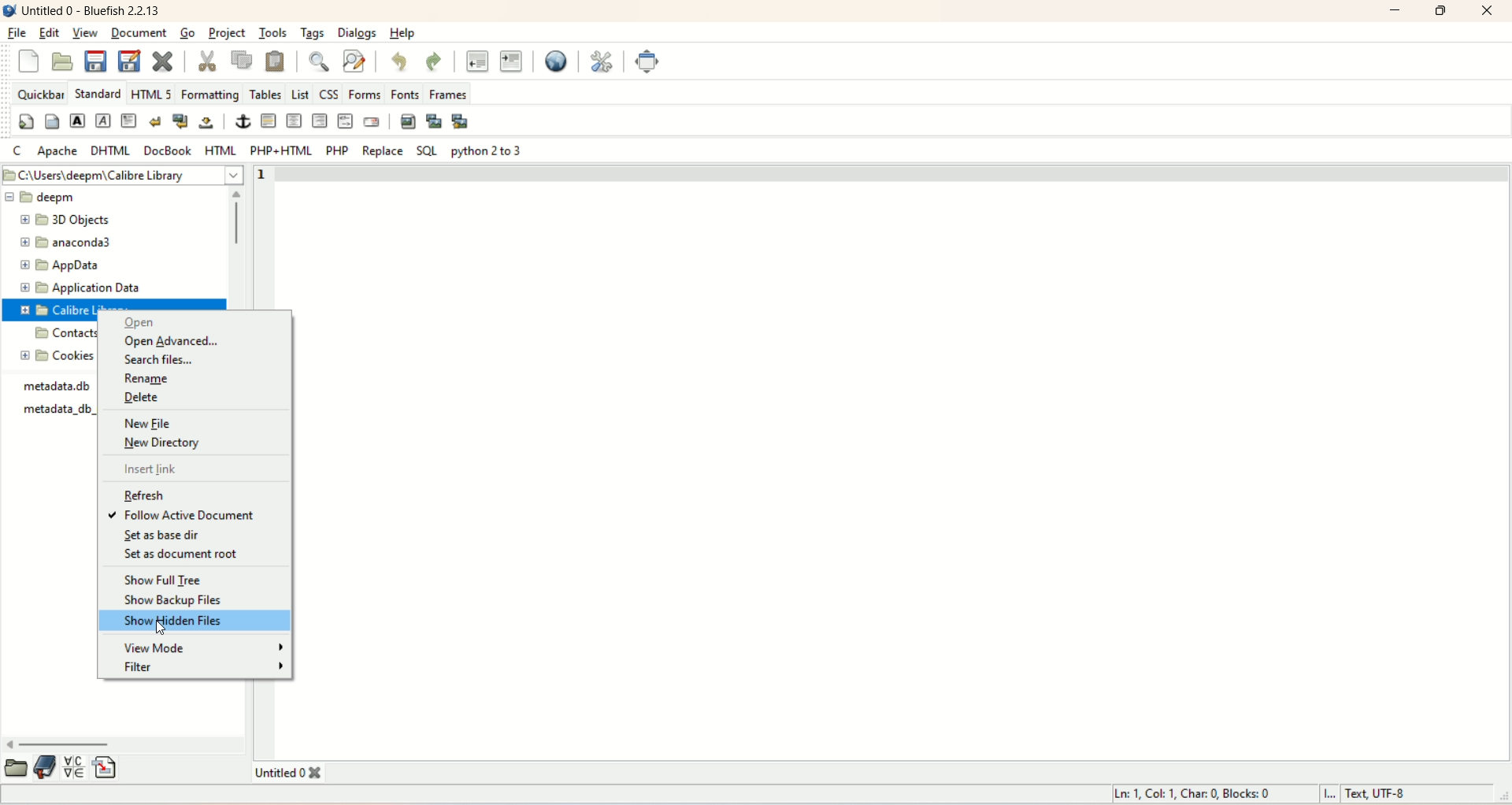  I want to click on title, so click(298, 773).